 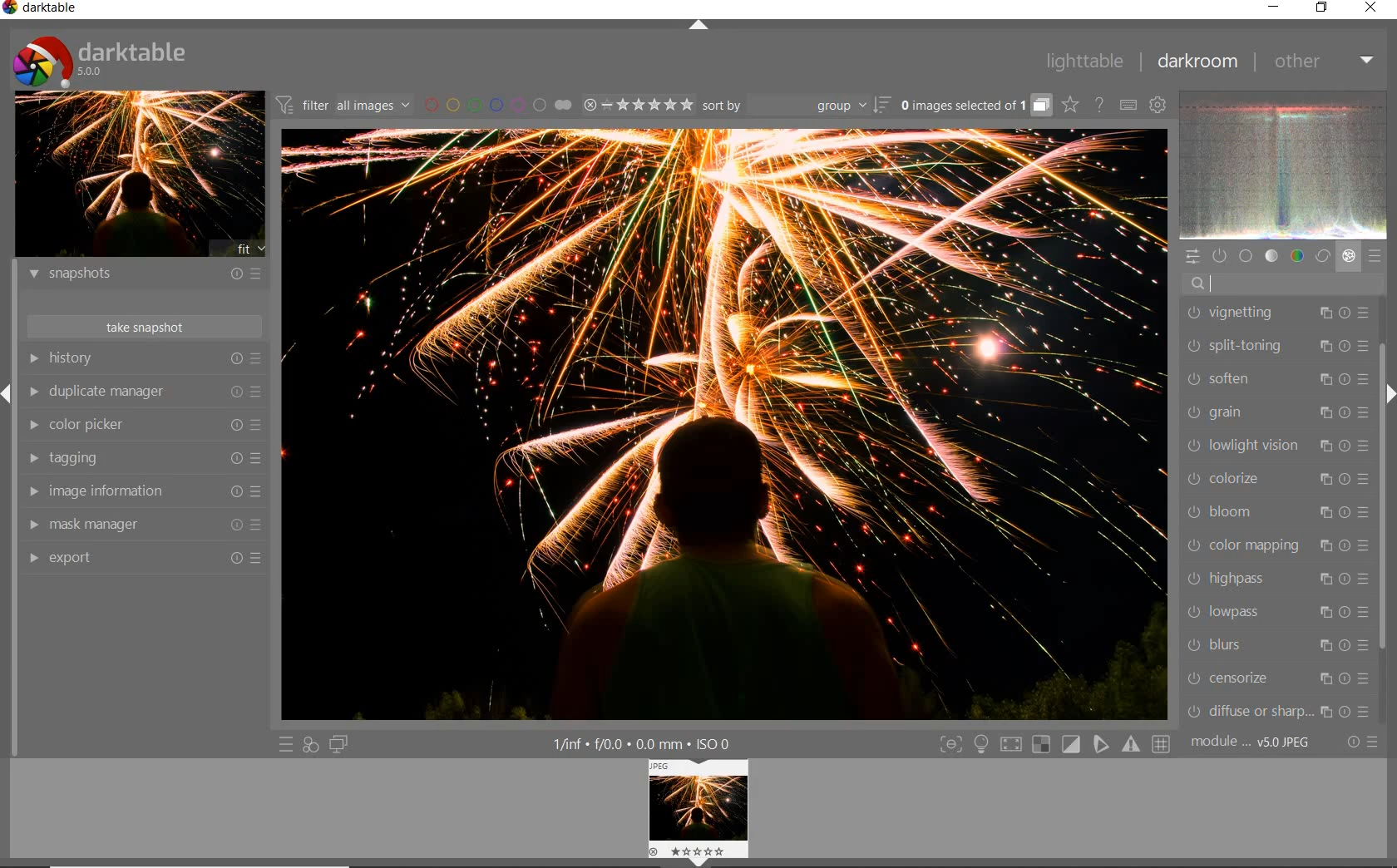 I want to click on Expand/Collapse, so click(x=8, y=394).